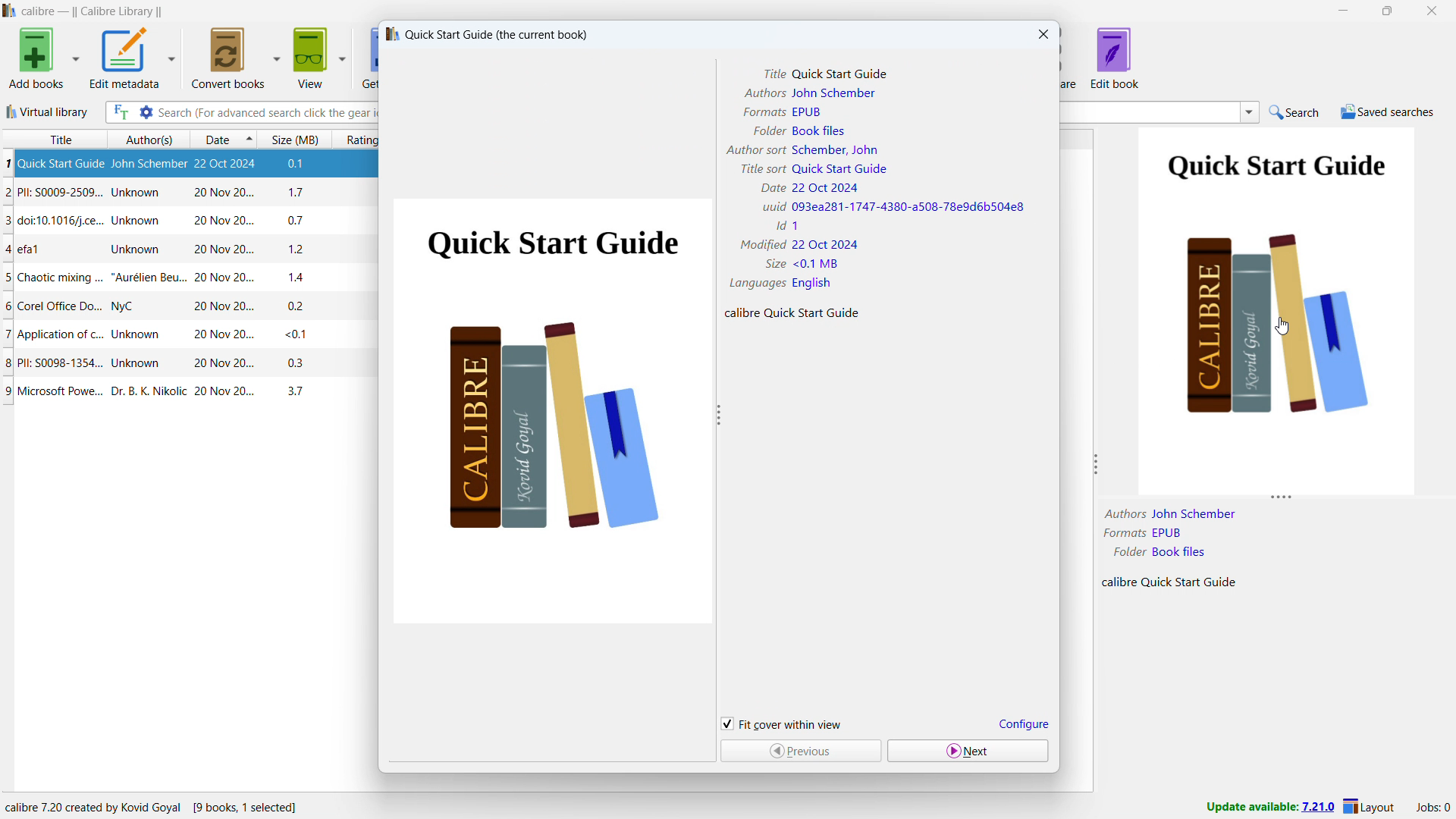 Image resolution: width=1456 pixels, height=819 pixels. I want to click on search (For advance search click the gear icon to the left), so click(268, 113).